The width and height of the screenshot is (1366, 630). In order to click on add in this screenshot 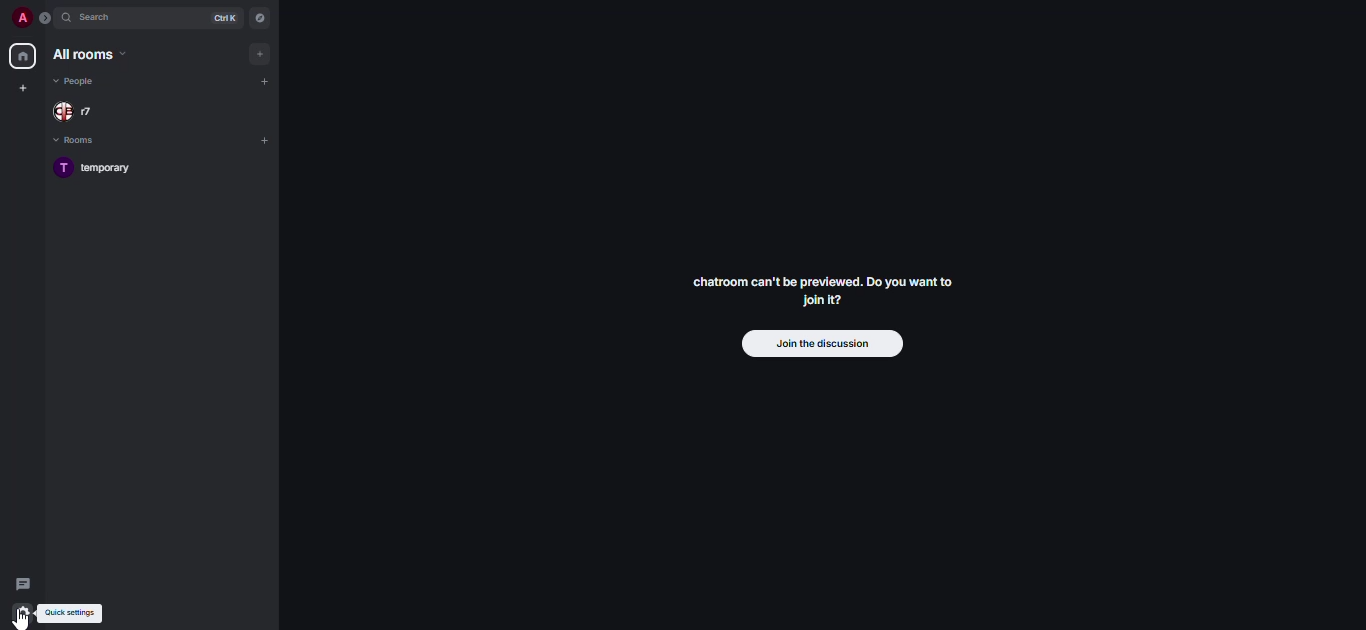, I will do `click(267, 139)`.